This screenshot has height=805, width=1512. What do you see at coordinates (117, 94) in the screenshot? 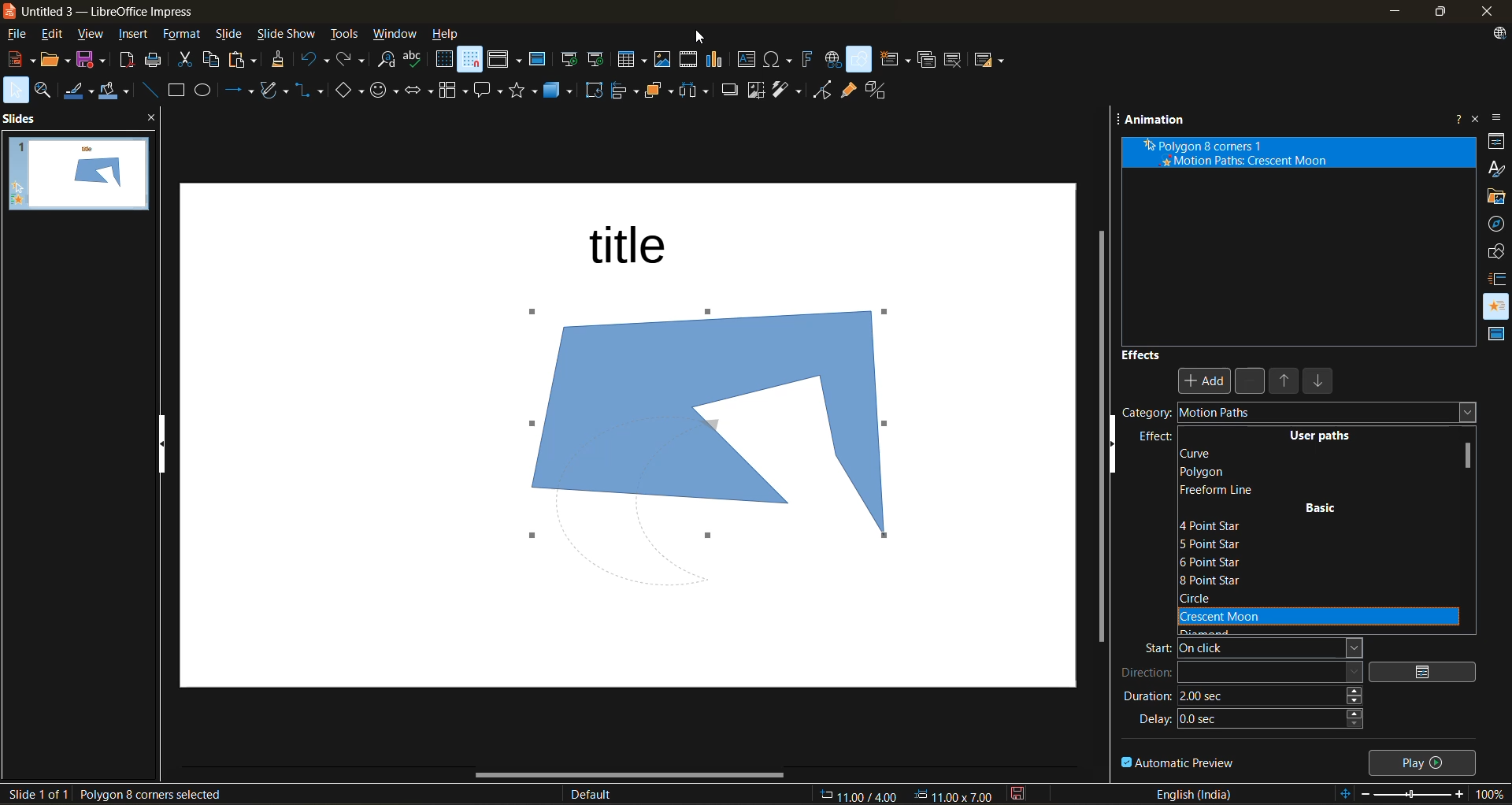
I see `fill color` at bounding box center [117, 94].